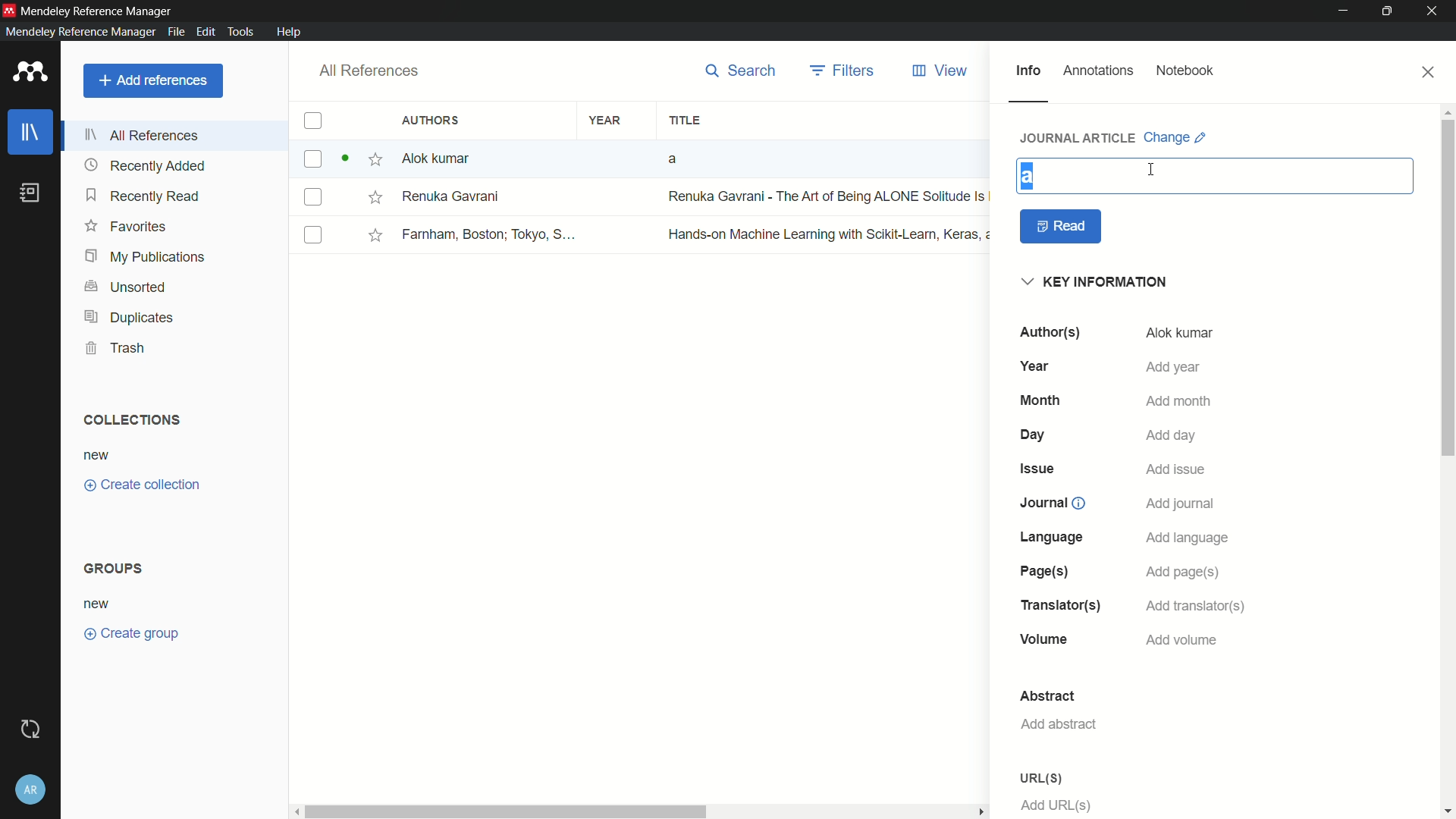 This screenshot has height=819, width=1456. Describe the element at coordinates (642, 811) in the screenshot. I see `horizontal scrollbar` at that location.